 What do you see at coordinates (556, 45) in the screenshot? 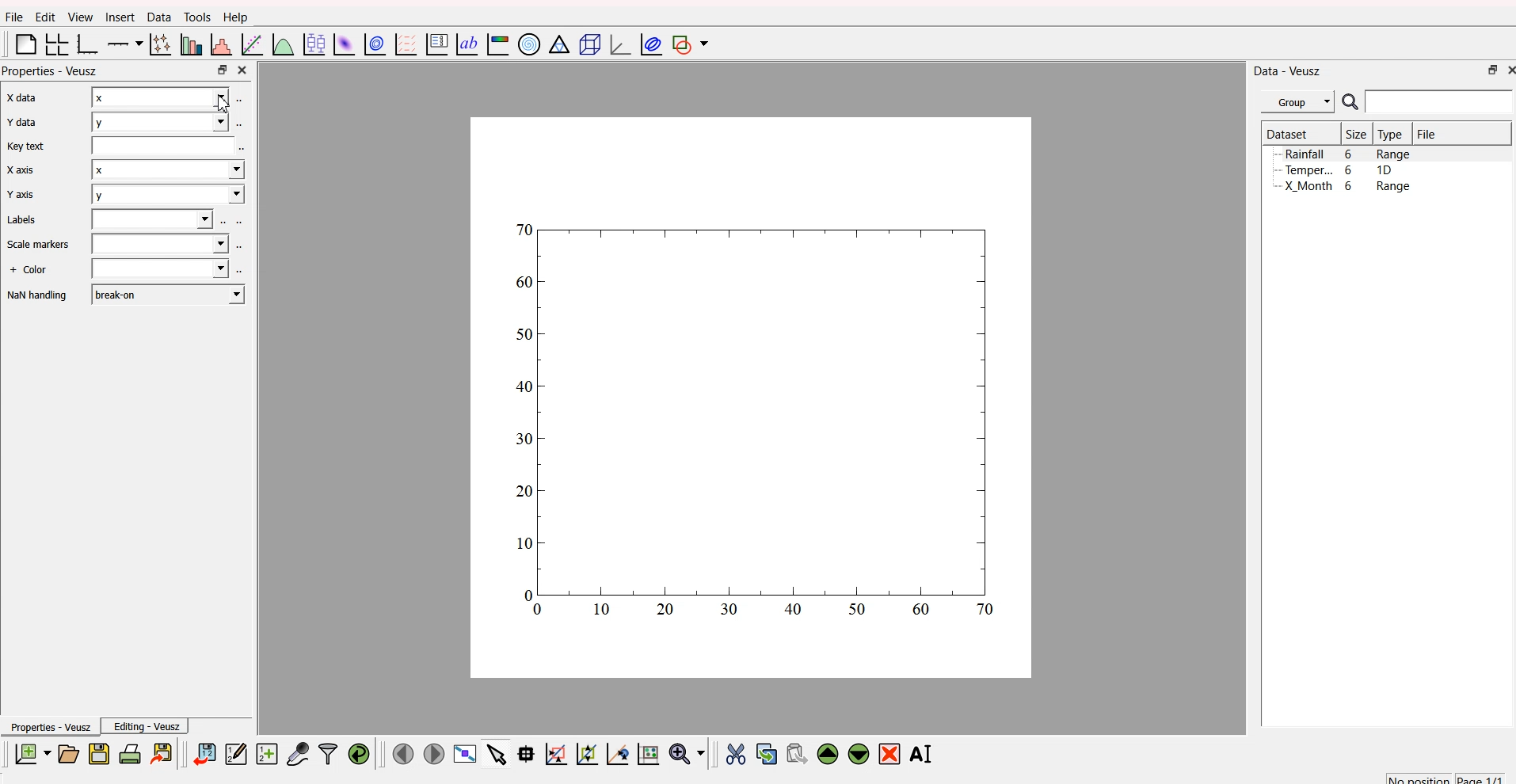
I see `Ternary graph` at bounding box center [556, 45].